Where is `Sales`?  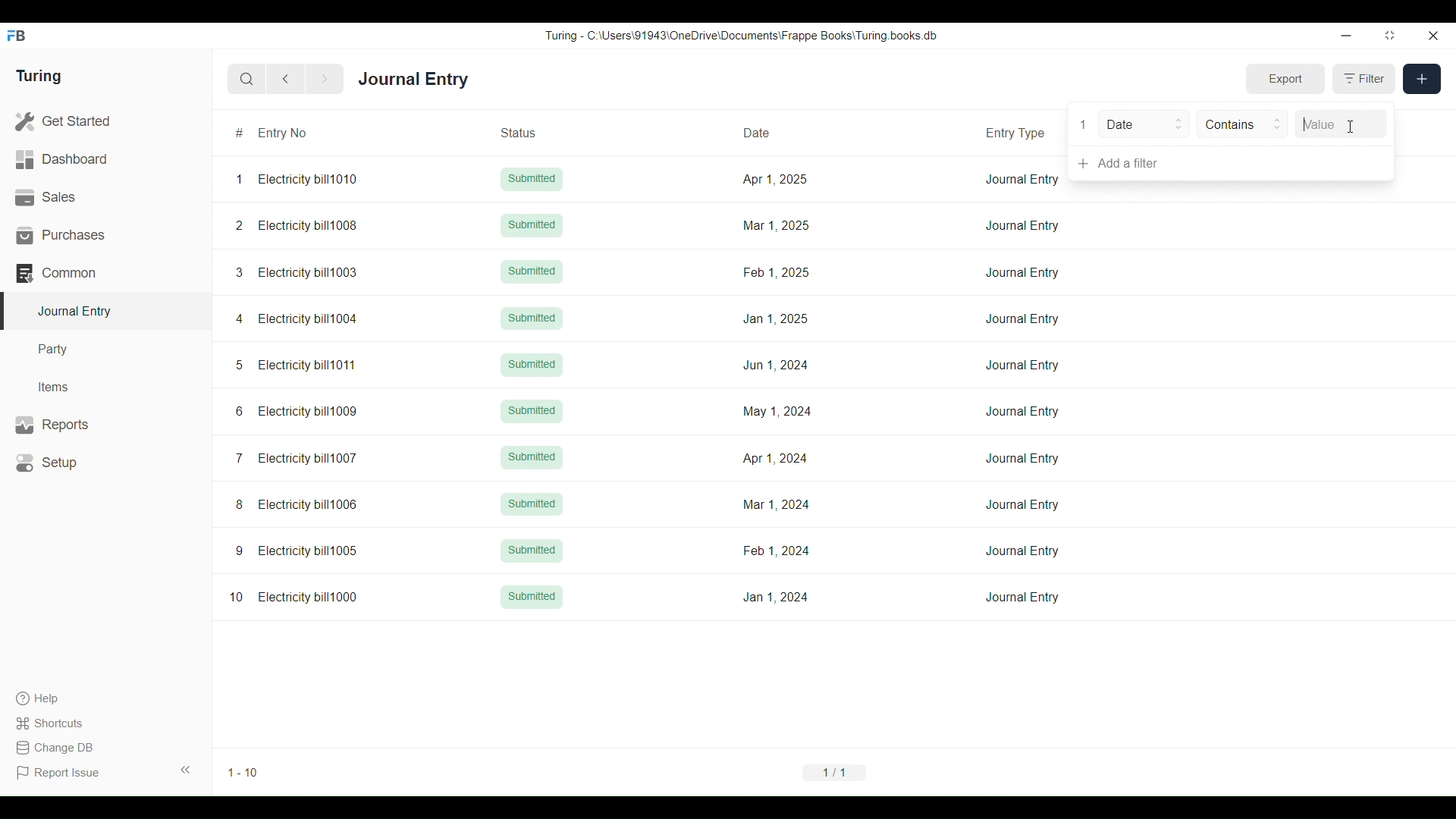
Sales is located at coordinates (105, 197).